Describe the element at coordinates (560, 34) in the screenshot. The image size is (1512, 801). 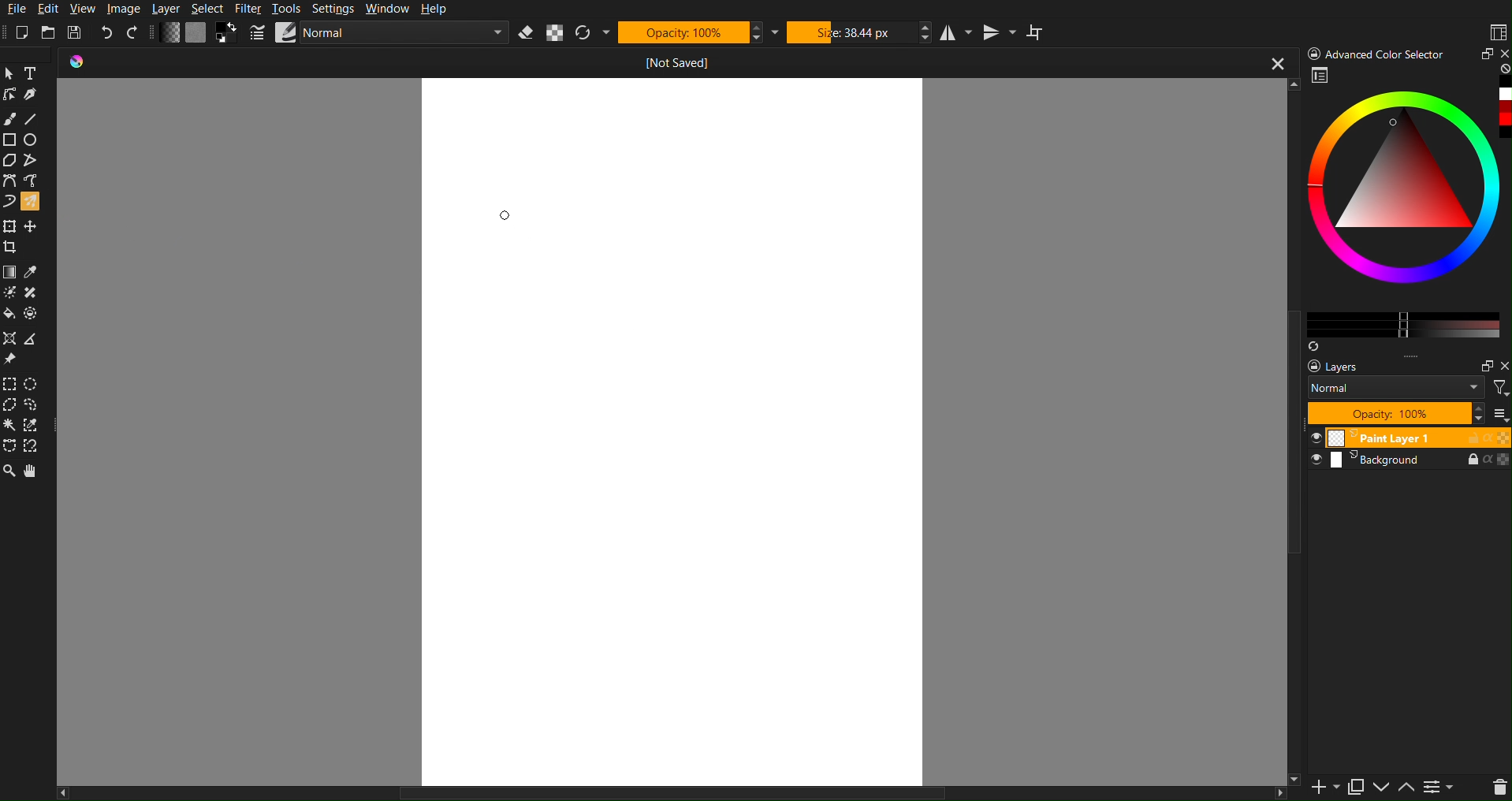
I see `Alpha` at that location.